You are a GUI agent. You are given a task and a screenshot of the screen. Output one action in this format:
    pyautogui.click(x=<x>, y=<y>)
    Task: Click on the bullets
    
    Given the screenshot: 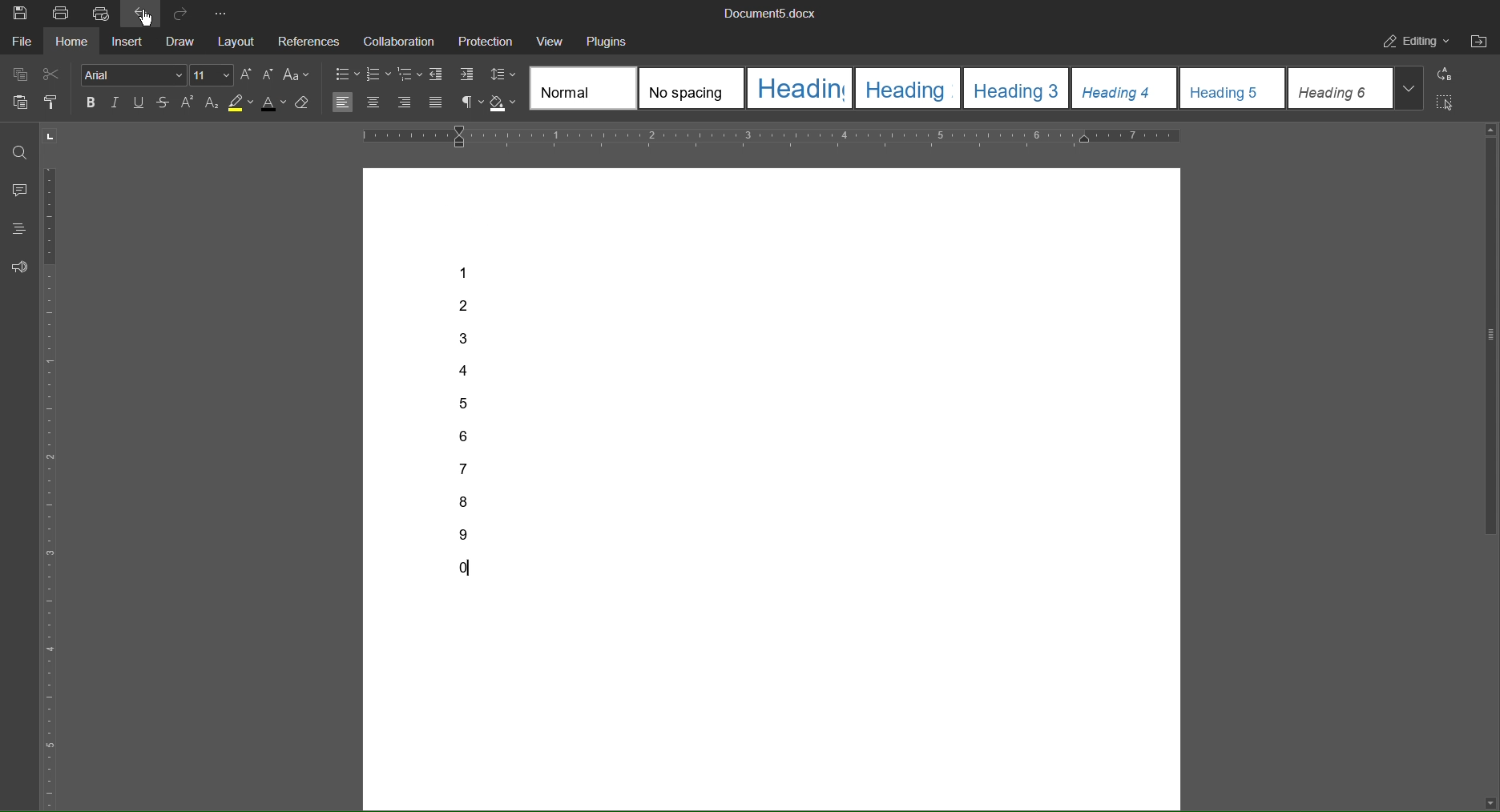 What is the action you would take?
    pyautogui.click(x=344, y=74)
    